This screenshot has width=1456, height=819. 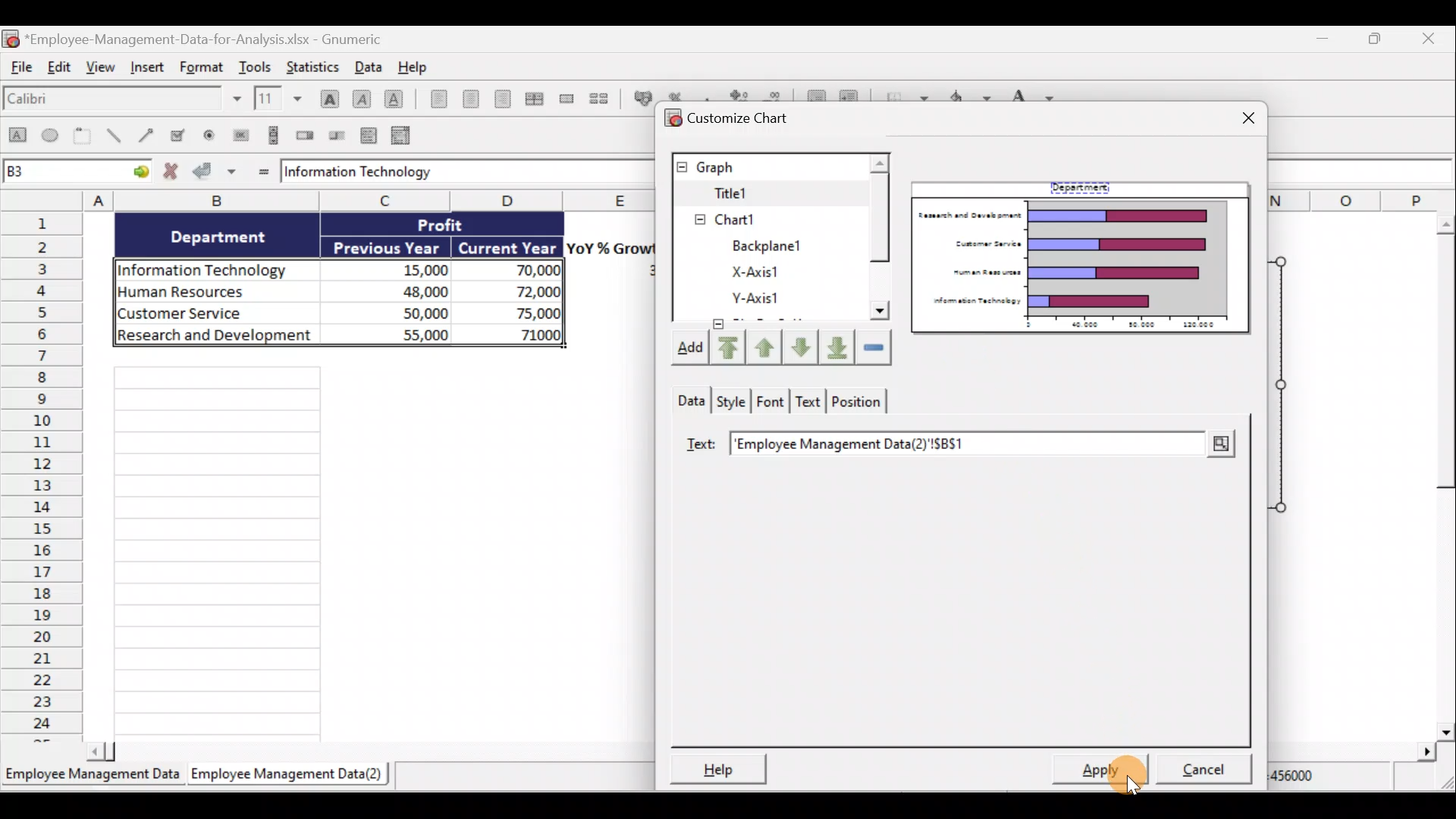 What do you see at coordinates (149, 72) in the screenshot?
I see `Insert` at bounding box center [149, 72].